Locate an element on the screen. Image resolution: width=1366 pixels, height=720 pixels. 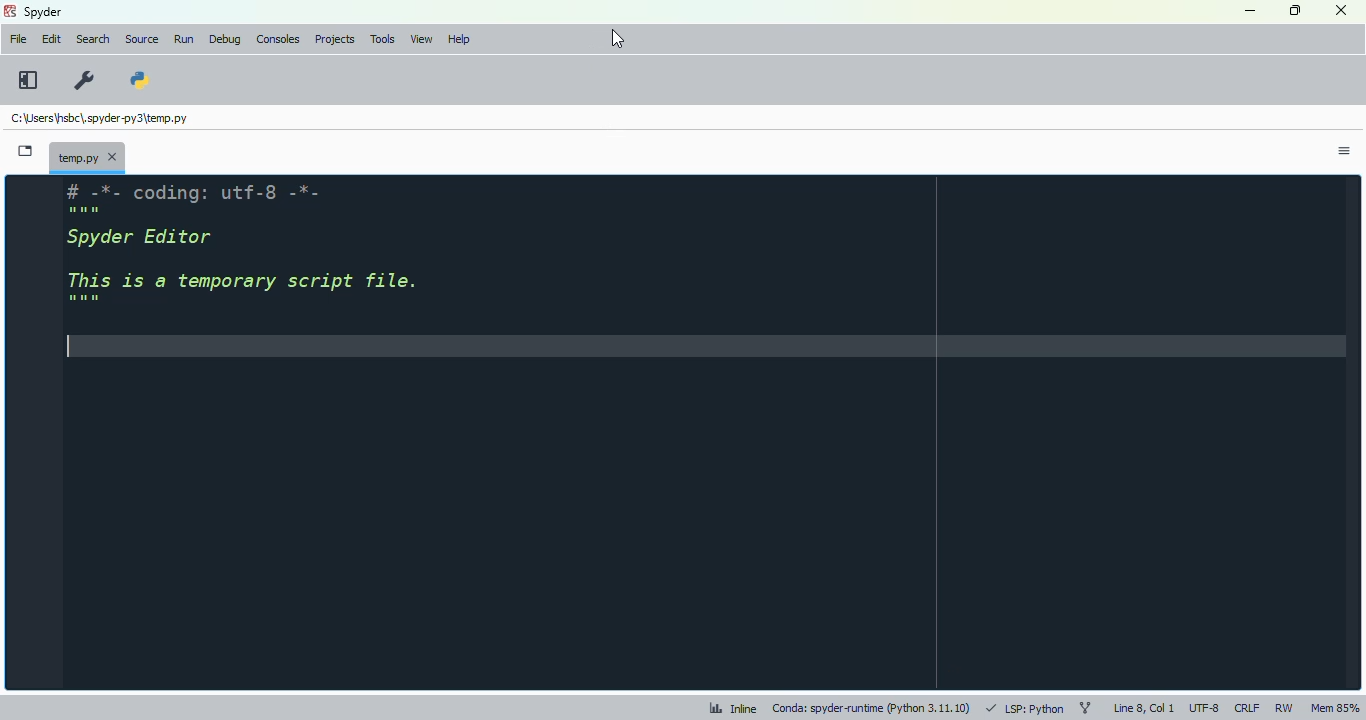
source is located at coordinates (142, 39).